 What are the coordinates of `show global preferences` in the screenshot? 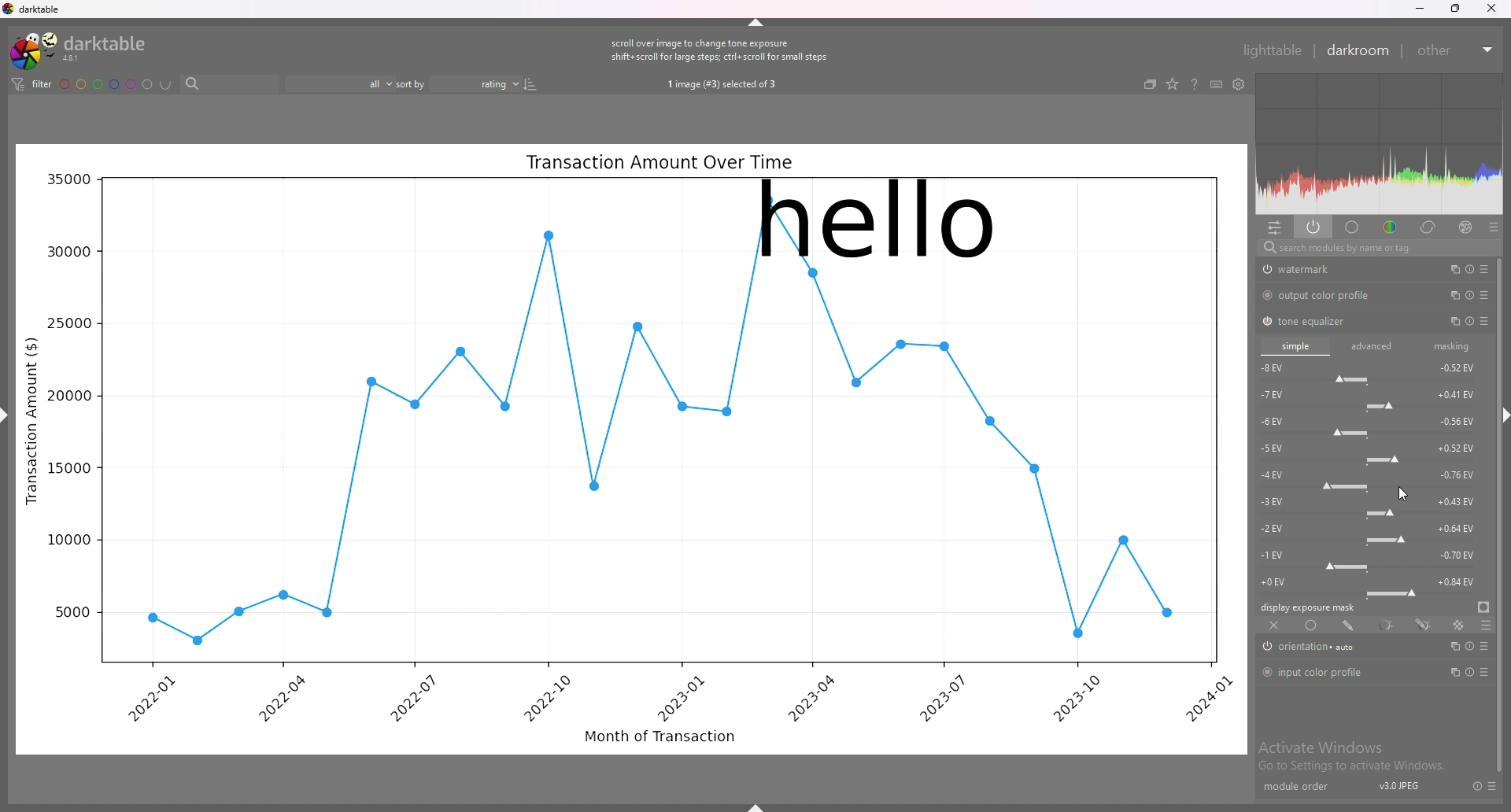 It's located at (1239, 83).